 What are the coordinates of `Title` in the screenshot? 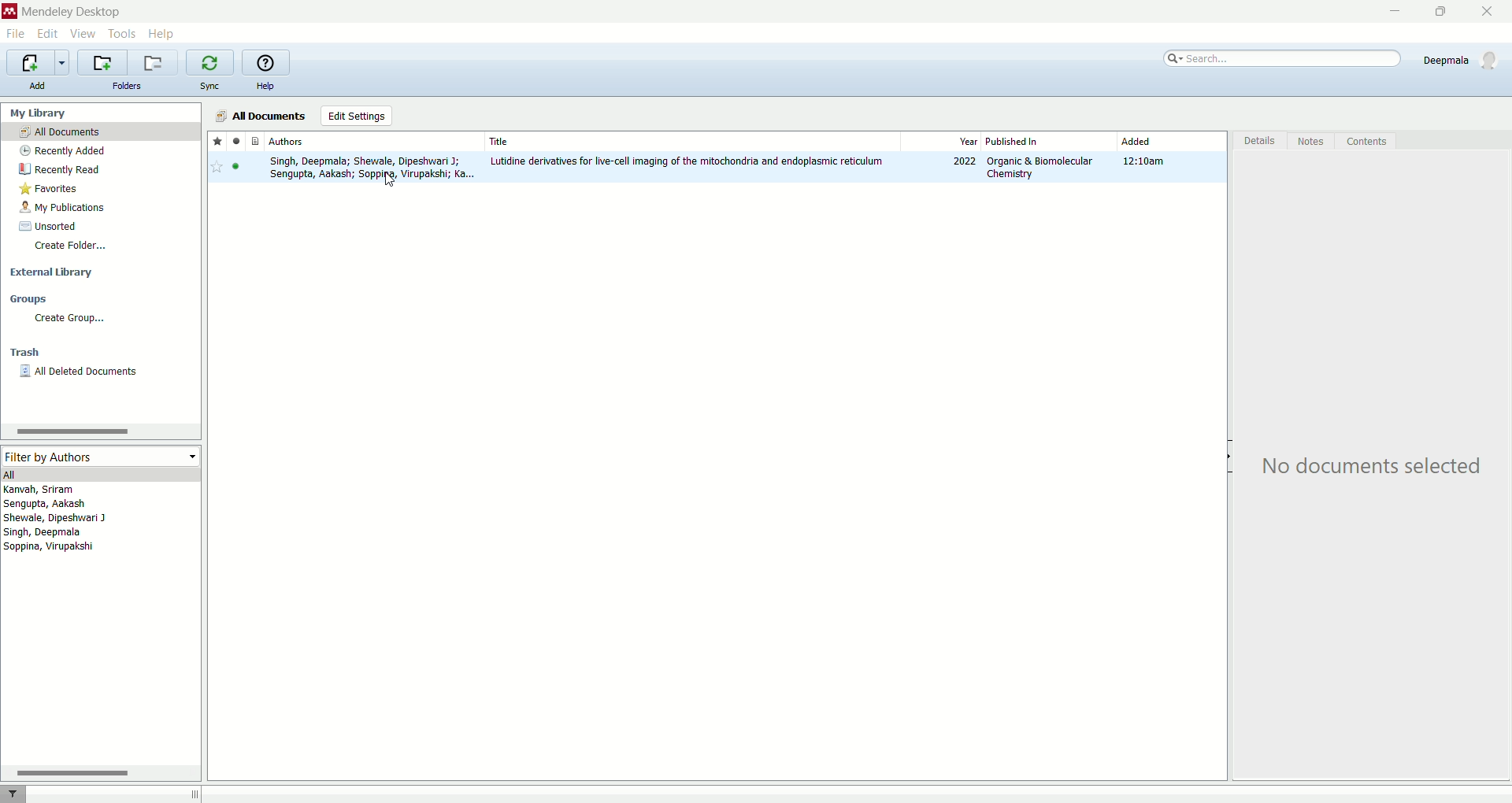 It's located at (689, 139).